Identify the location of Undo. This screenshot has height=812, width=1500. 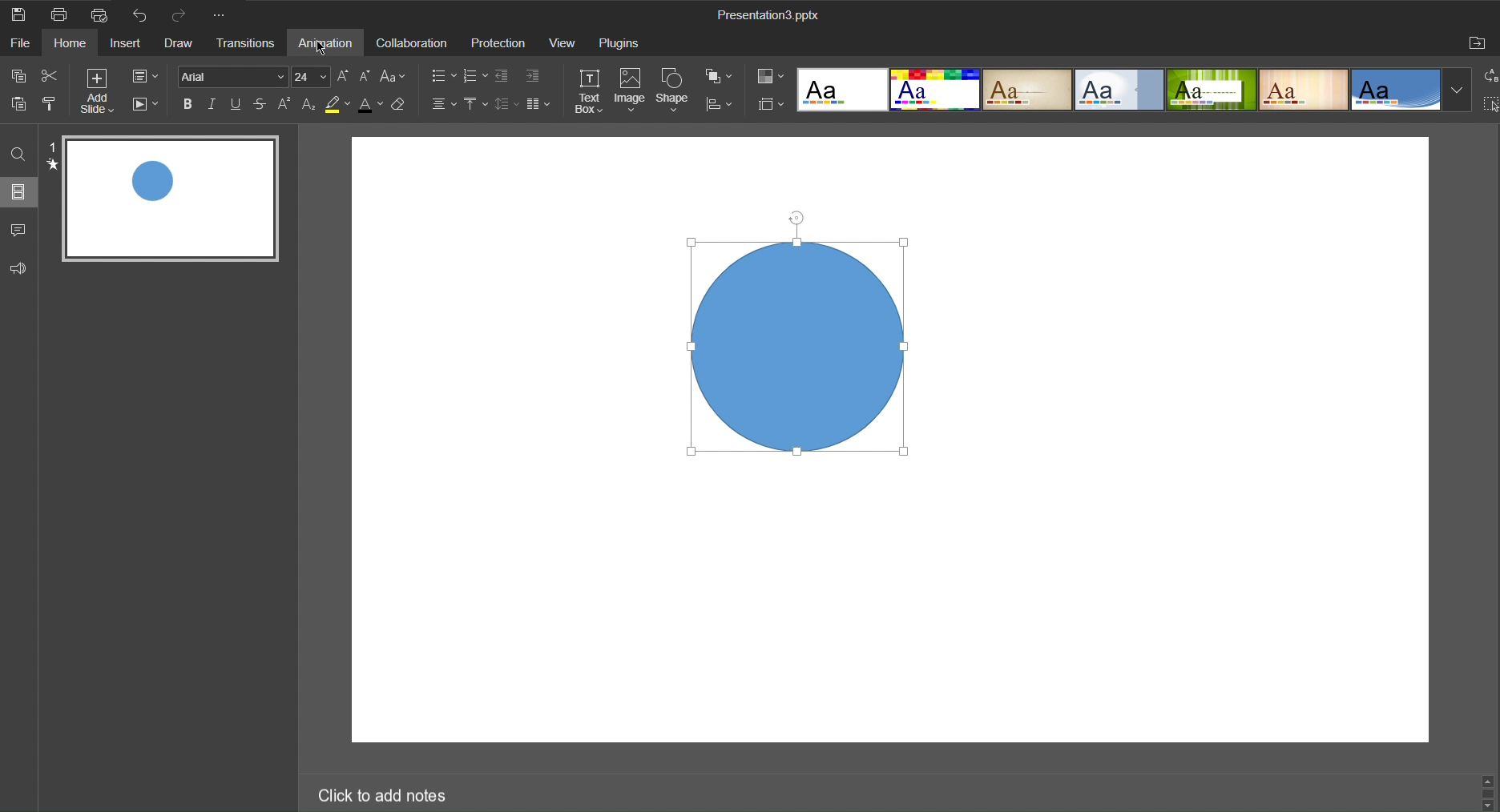
(137, 15).